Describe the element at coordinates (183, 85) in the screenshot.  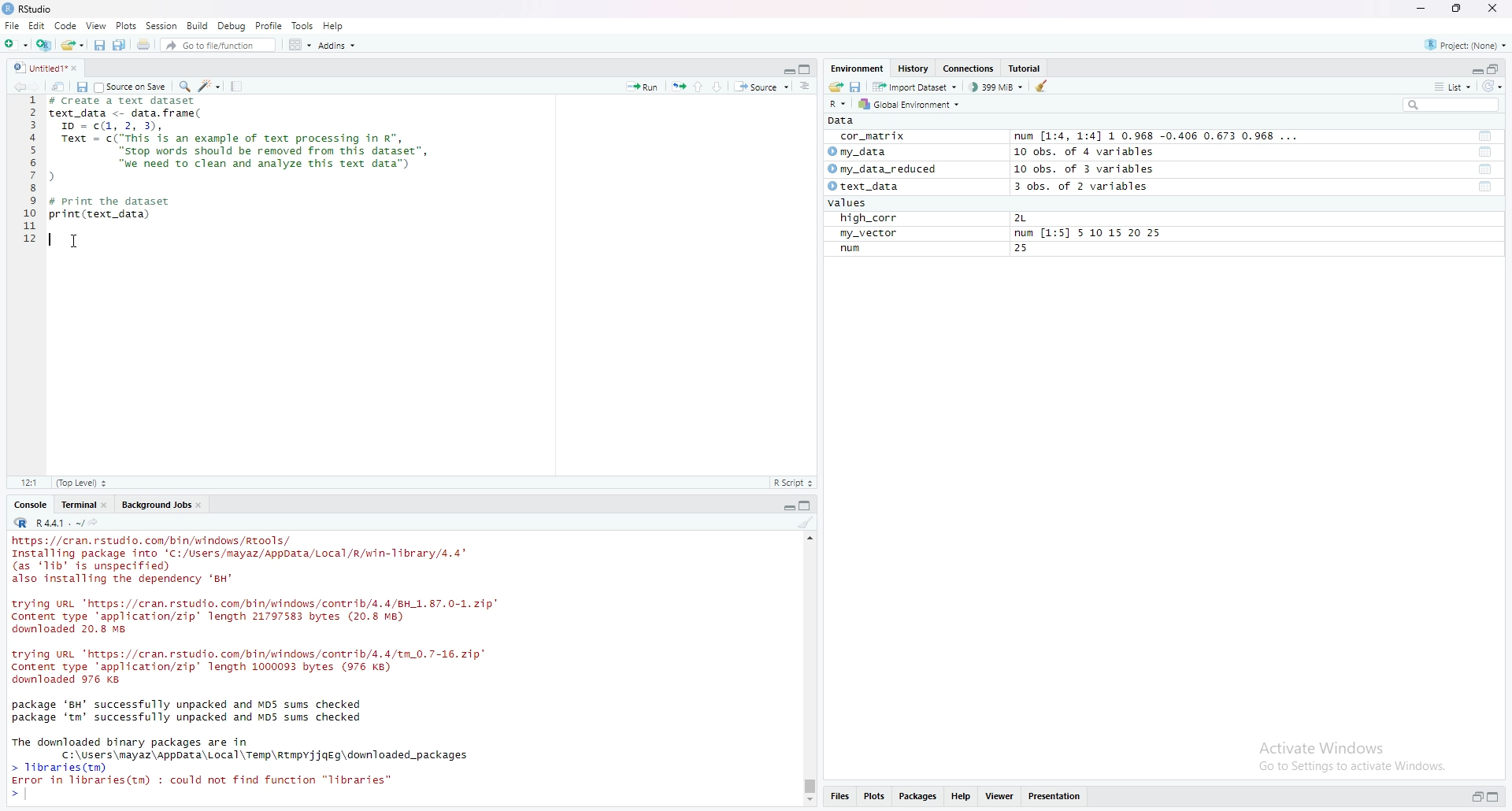
I see `find/replace` at that location.